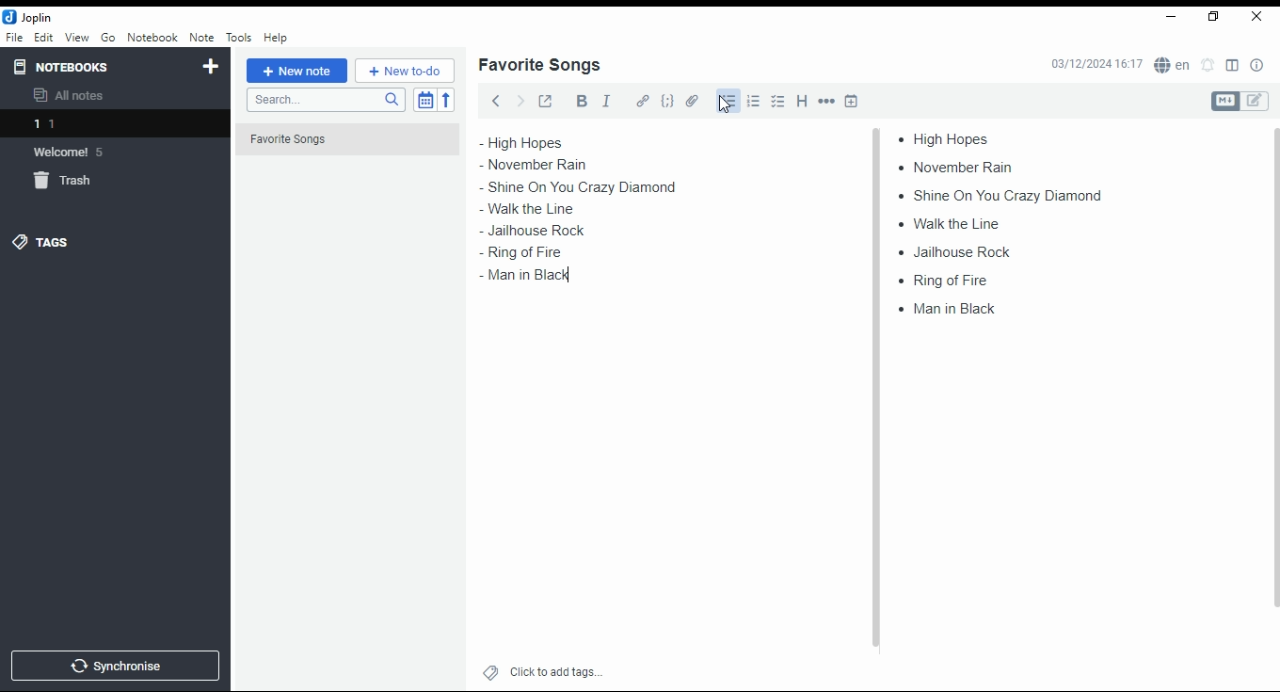  Describe the element at coordinates (152, 37) in the screenshot. I see `notebook` at that location.